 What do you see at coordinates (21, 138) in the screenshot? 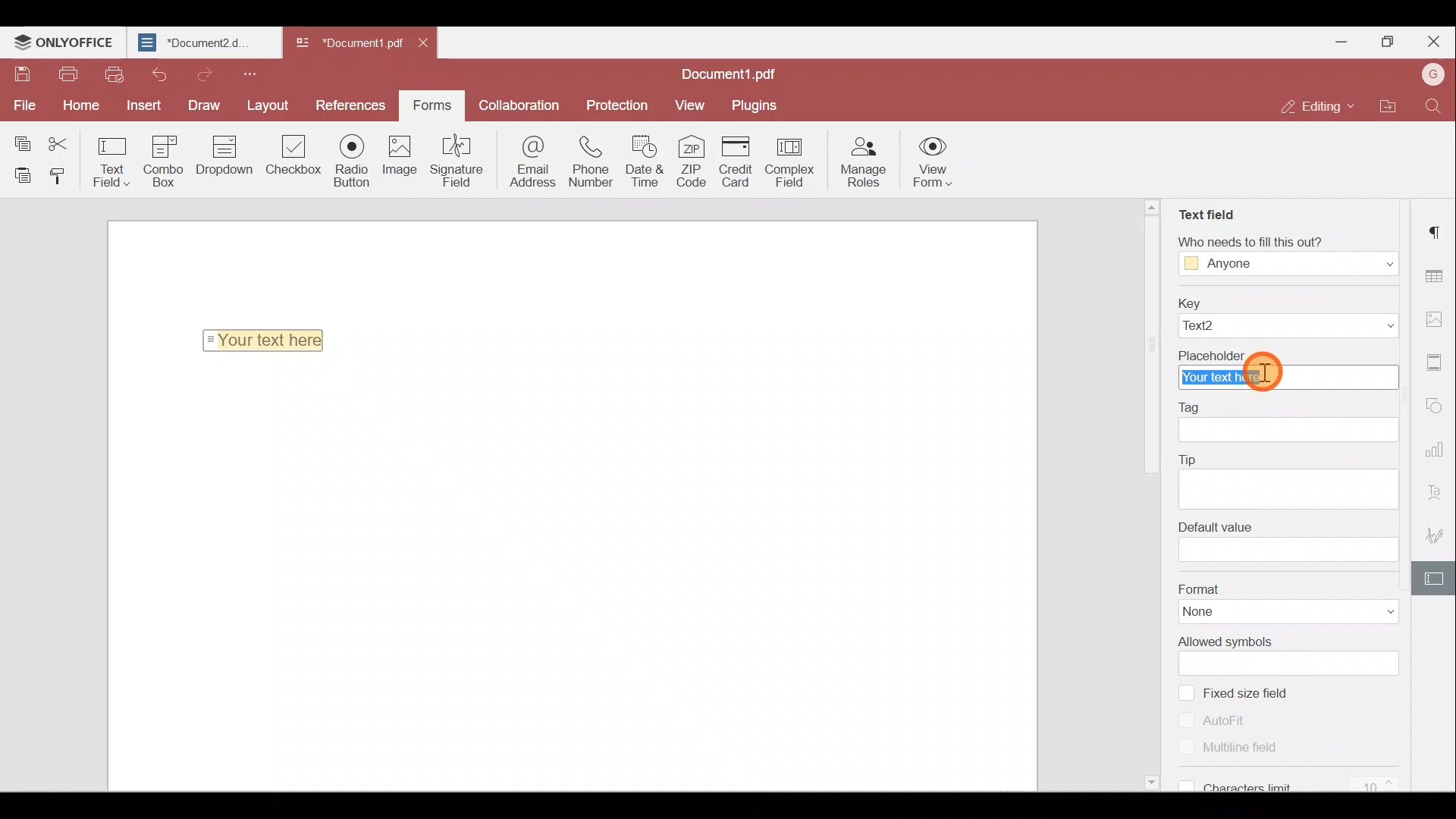
I see `Copy` at bounding box center [21, 138].